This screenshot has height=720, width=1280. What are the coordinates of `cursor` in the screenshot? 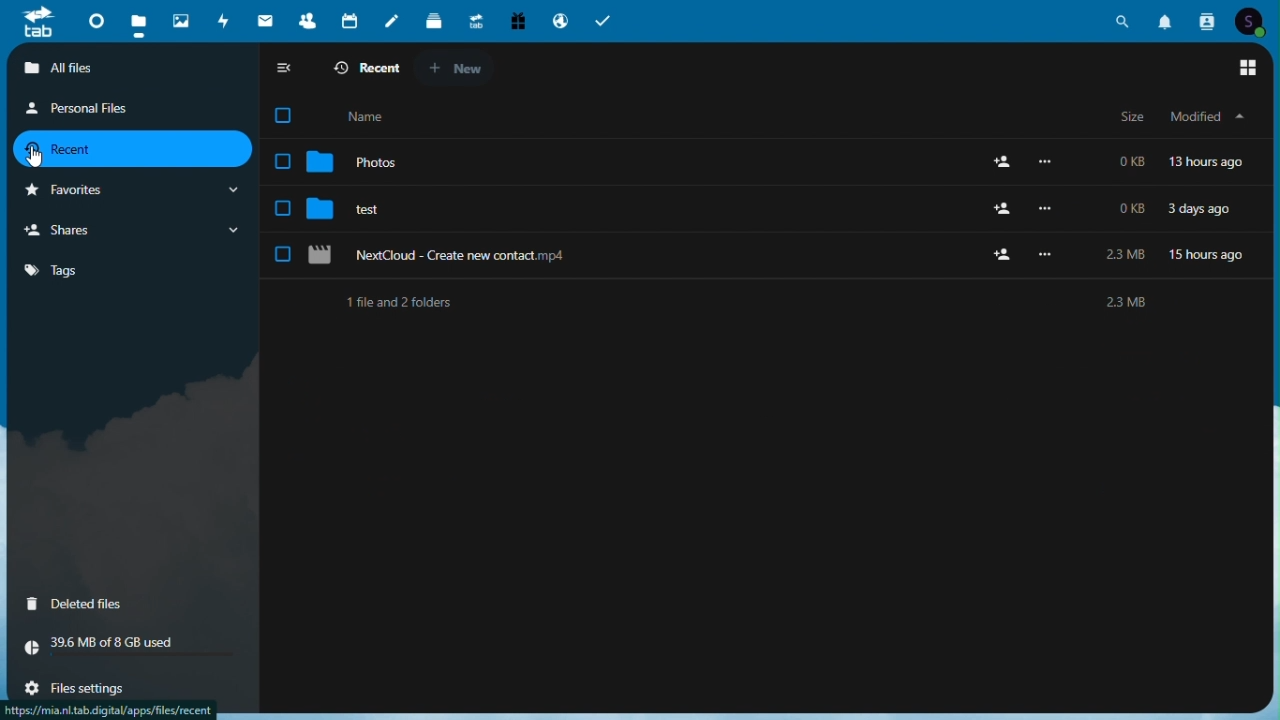 It's located at (36, 158).